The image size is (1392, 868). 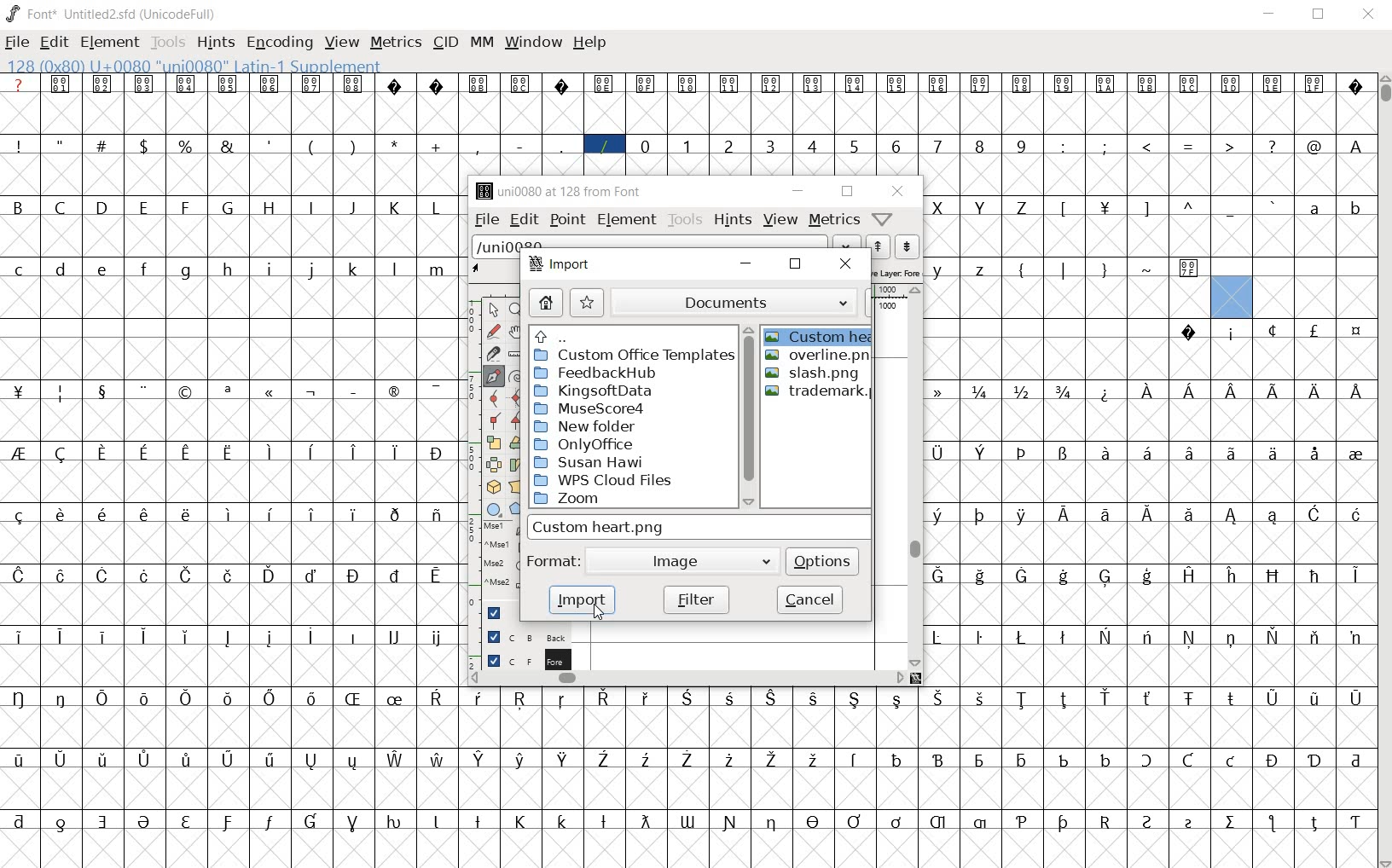 I want to click on glyph, so click(x=1273, y=761).